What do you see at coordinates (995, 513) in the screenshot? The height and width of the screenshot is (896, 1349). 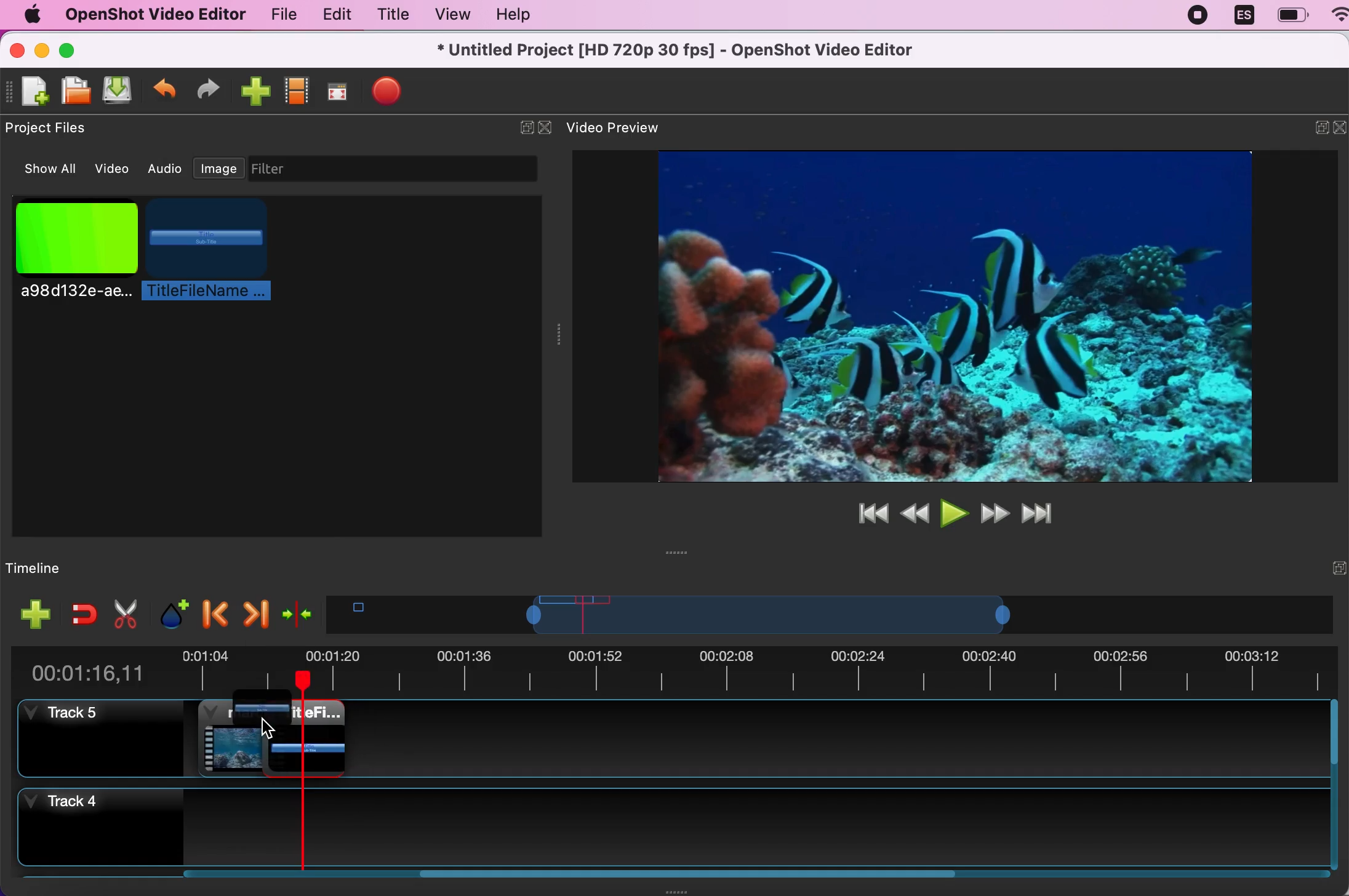 I see `fast forward` at bounding box center [995, 513].